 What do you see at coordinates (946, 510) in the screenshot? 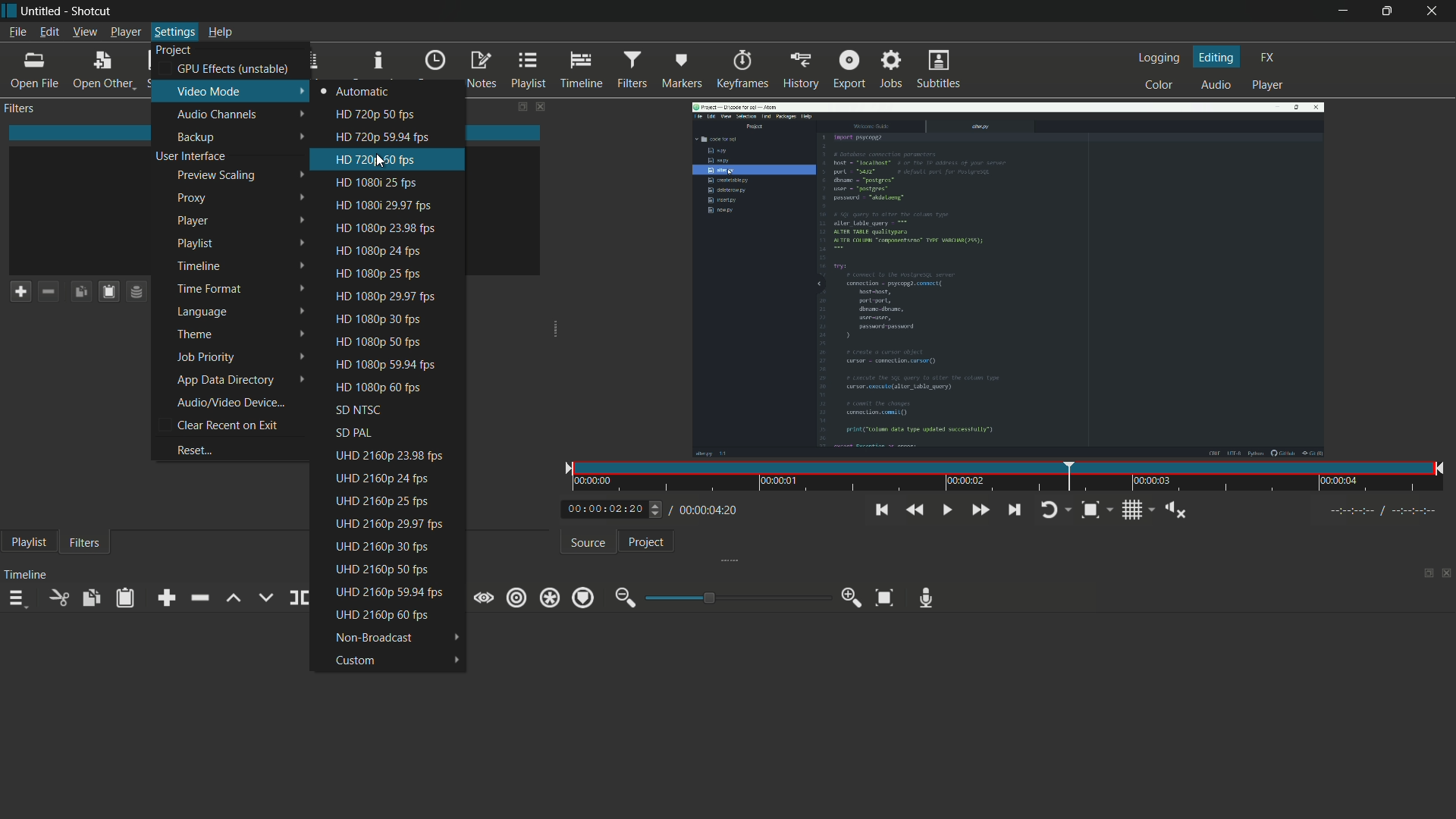
I see `toggle play or pause` at bounding box center [946, 510].